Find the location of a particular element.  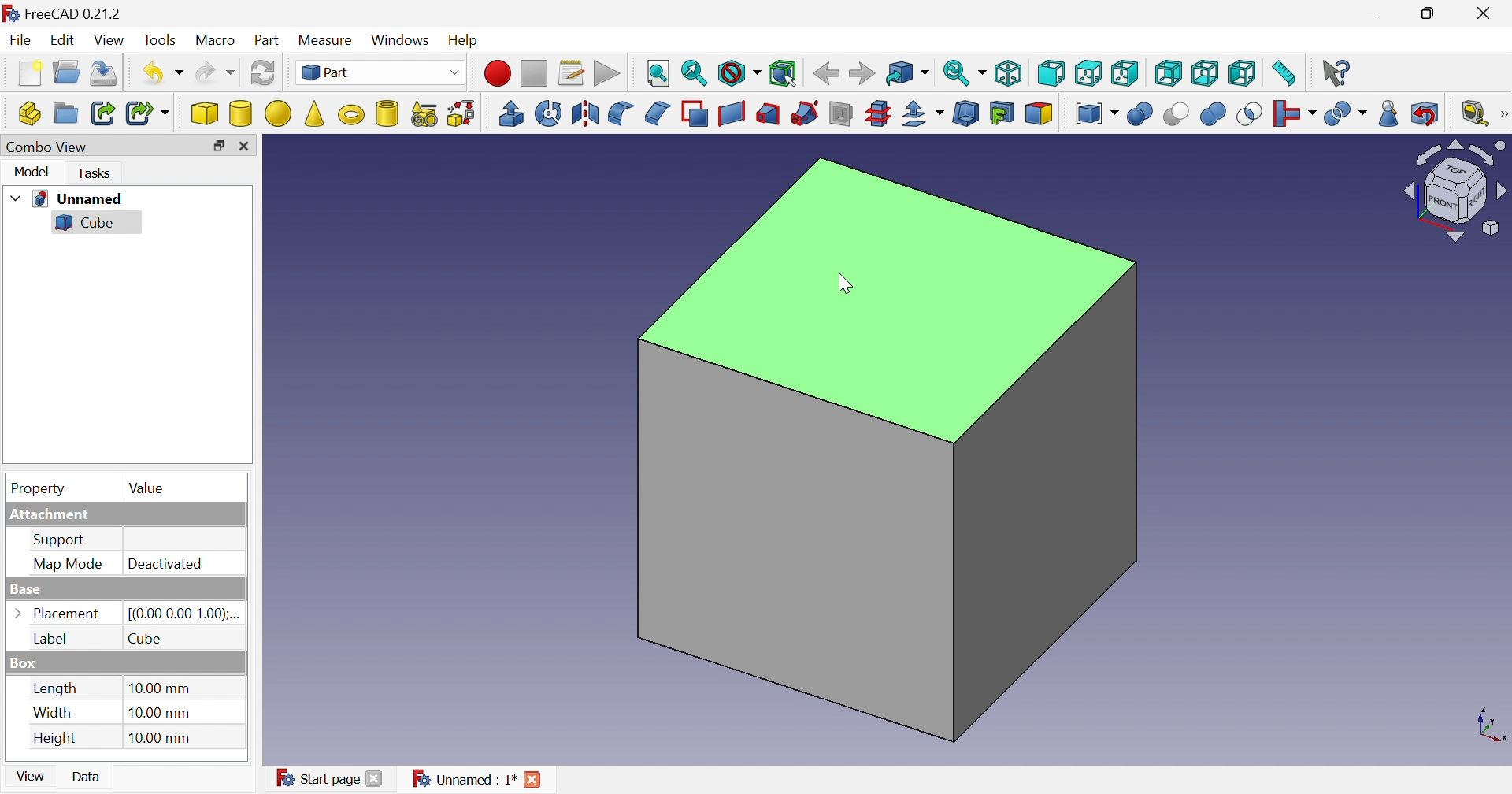

Loft is located at coordinates (768, 114).